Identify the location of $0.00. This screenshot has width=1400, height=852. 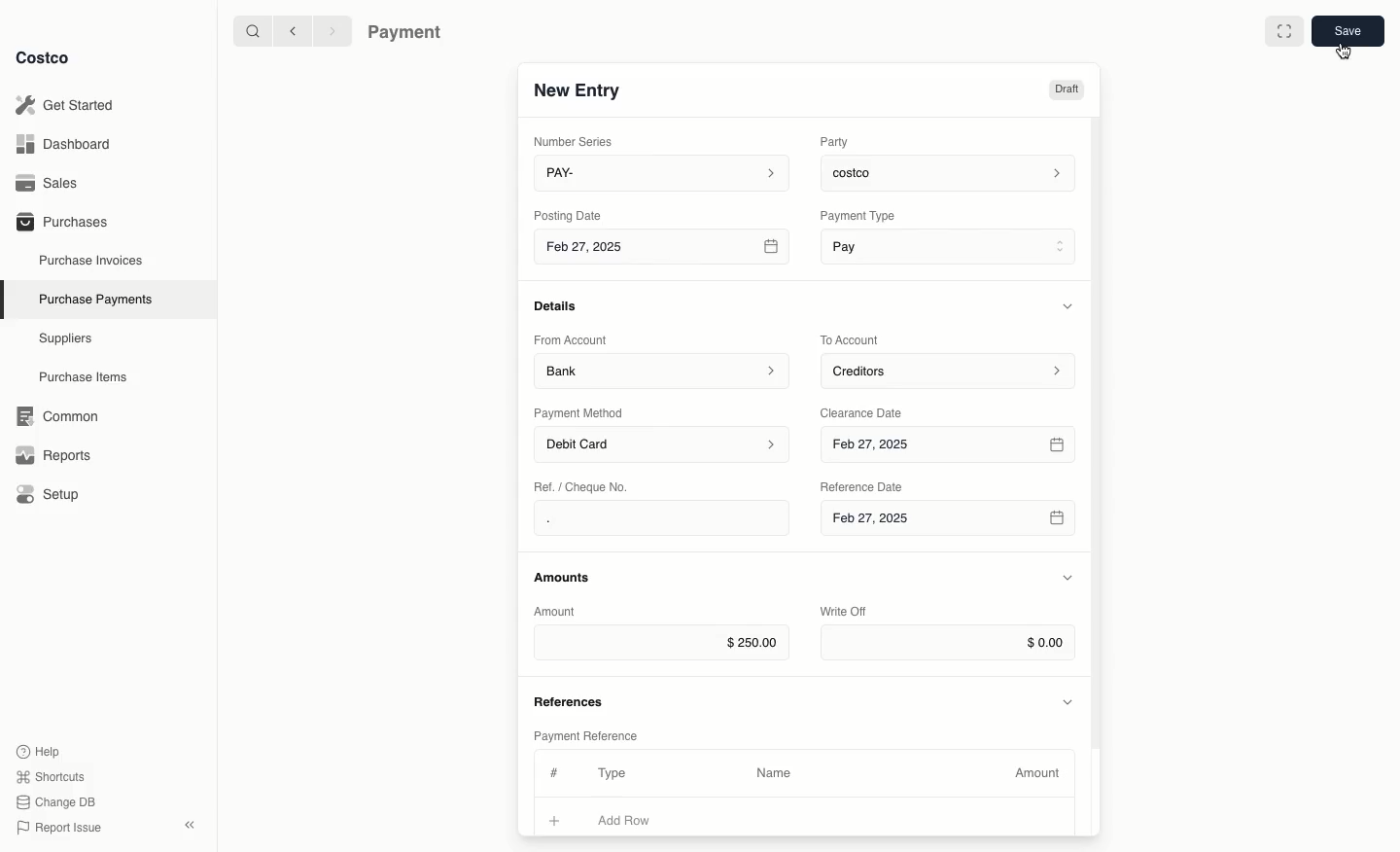
(948, 643).